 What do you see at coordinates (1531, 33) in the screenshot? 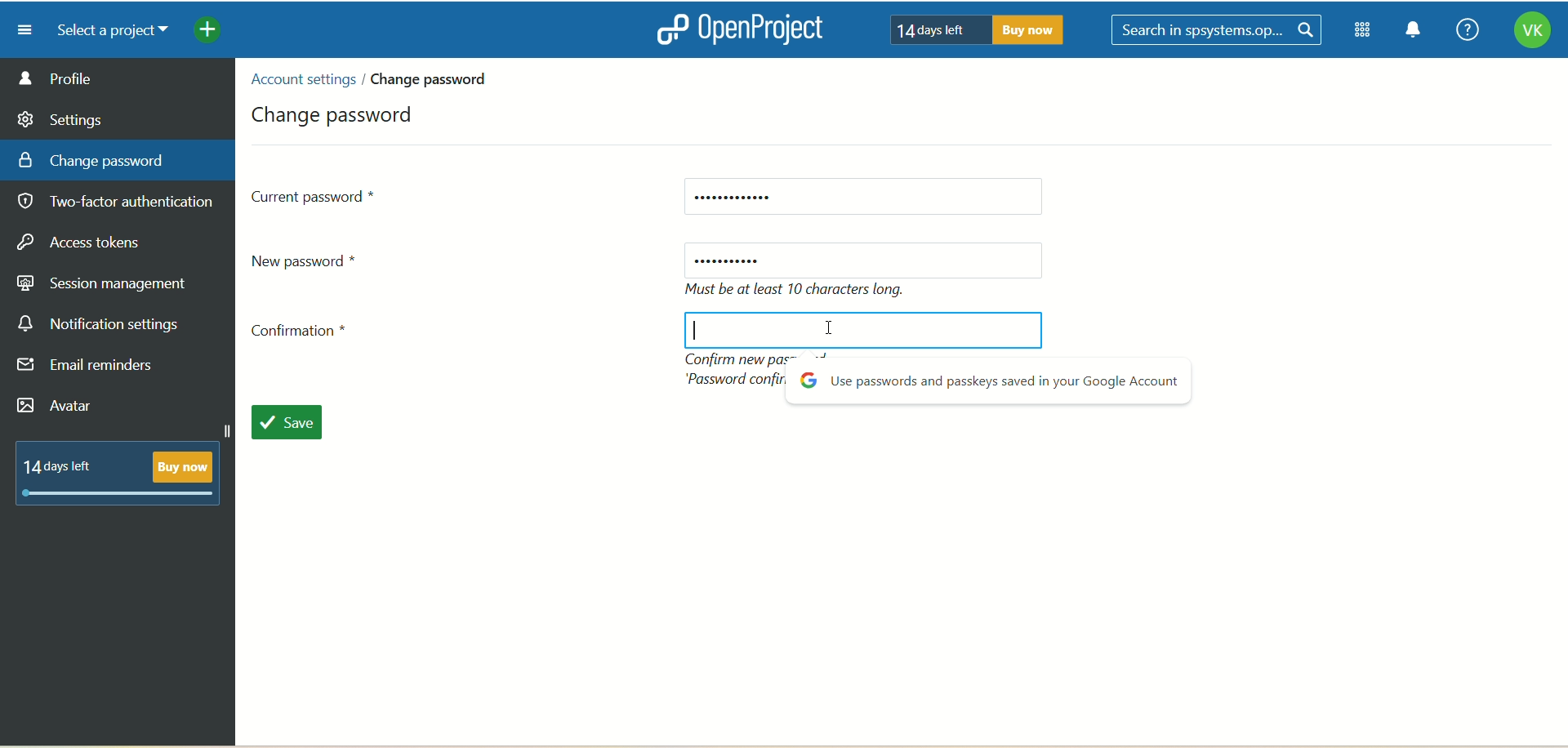
I see `account` at bounding box center [1531, 33].